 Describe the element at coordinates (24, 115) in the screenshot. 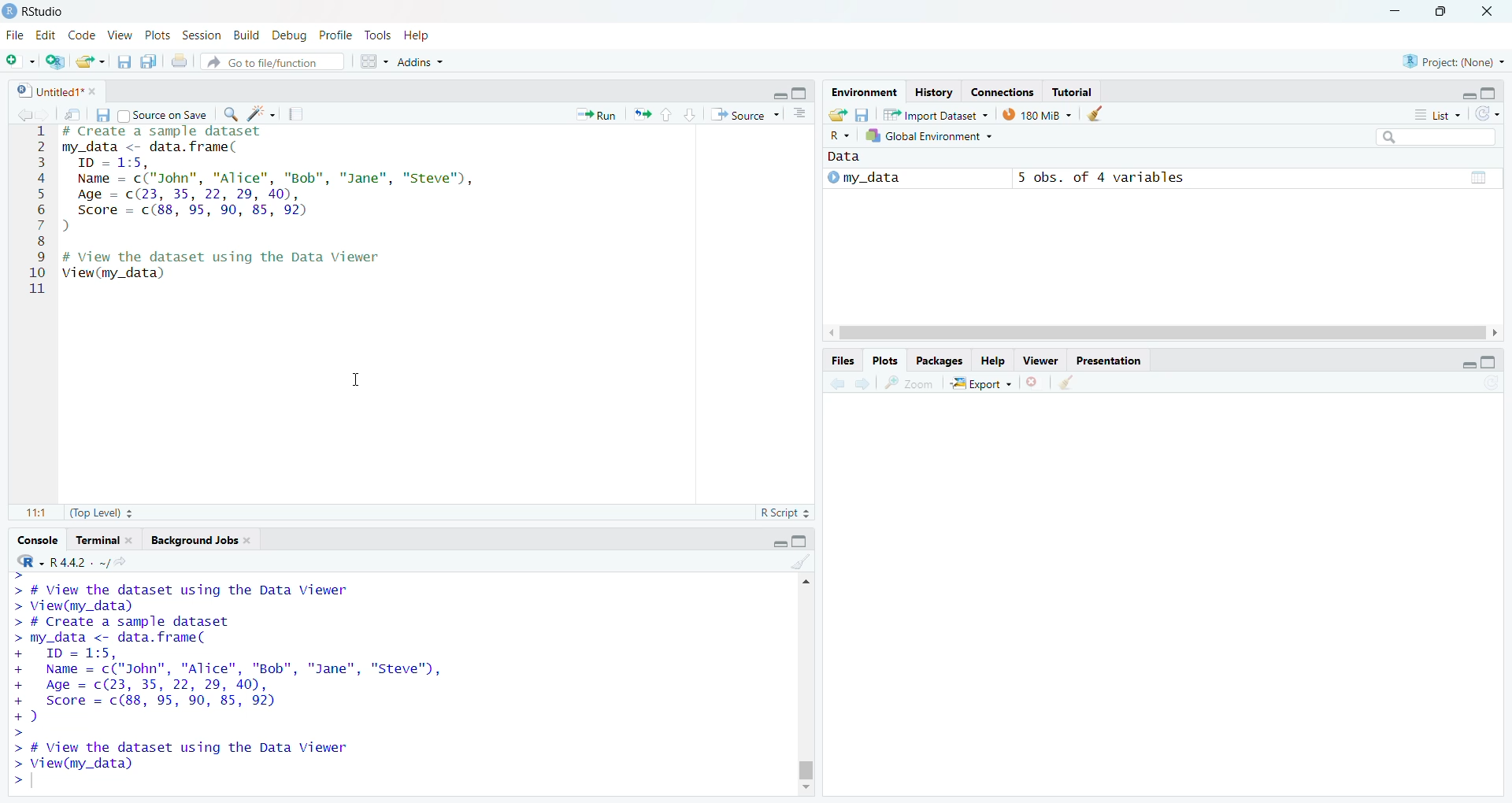

I see `Back` at that location.